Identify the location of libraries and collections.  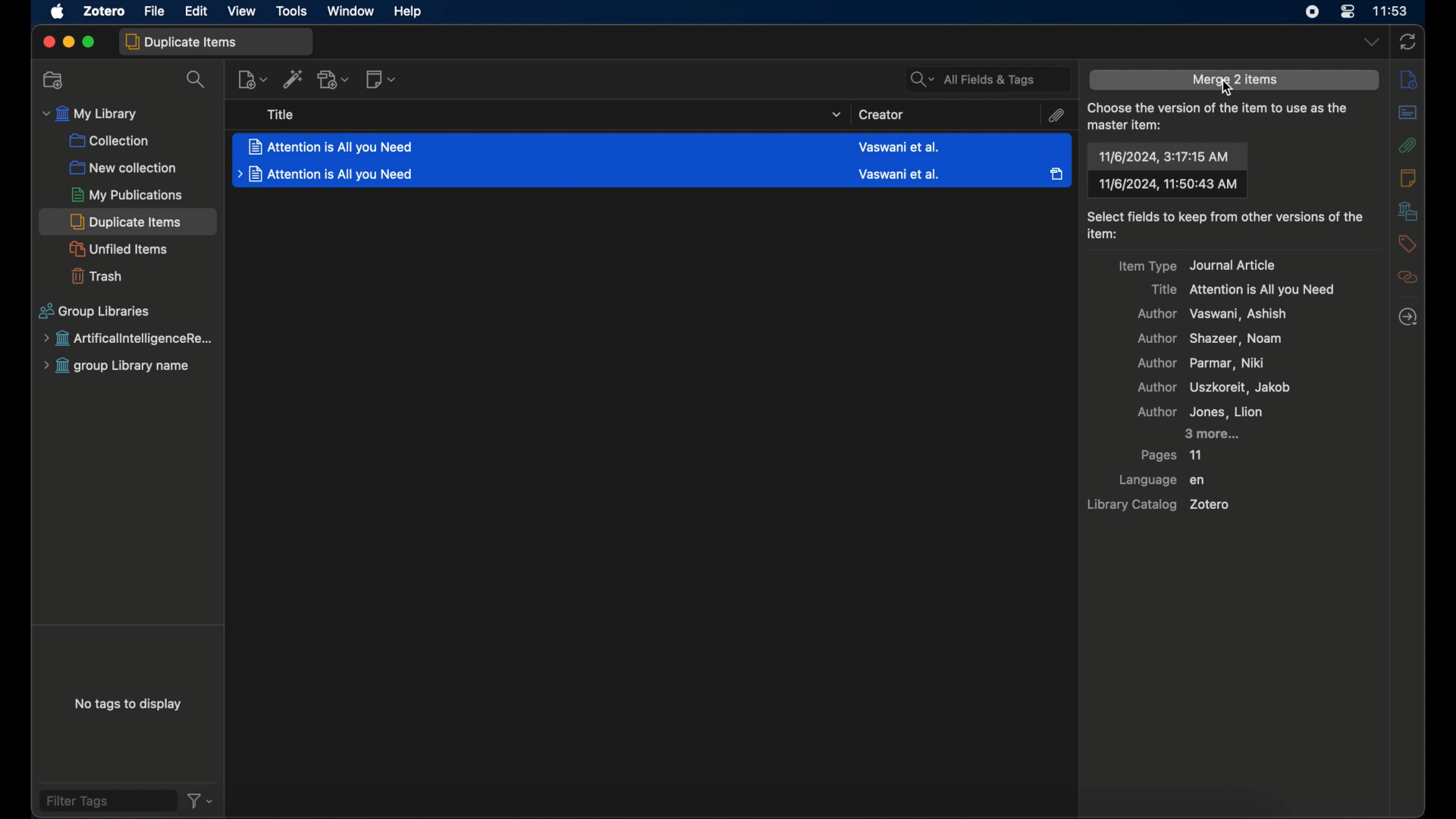
(1410, 211).